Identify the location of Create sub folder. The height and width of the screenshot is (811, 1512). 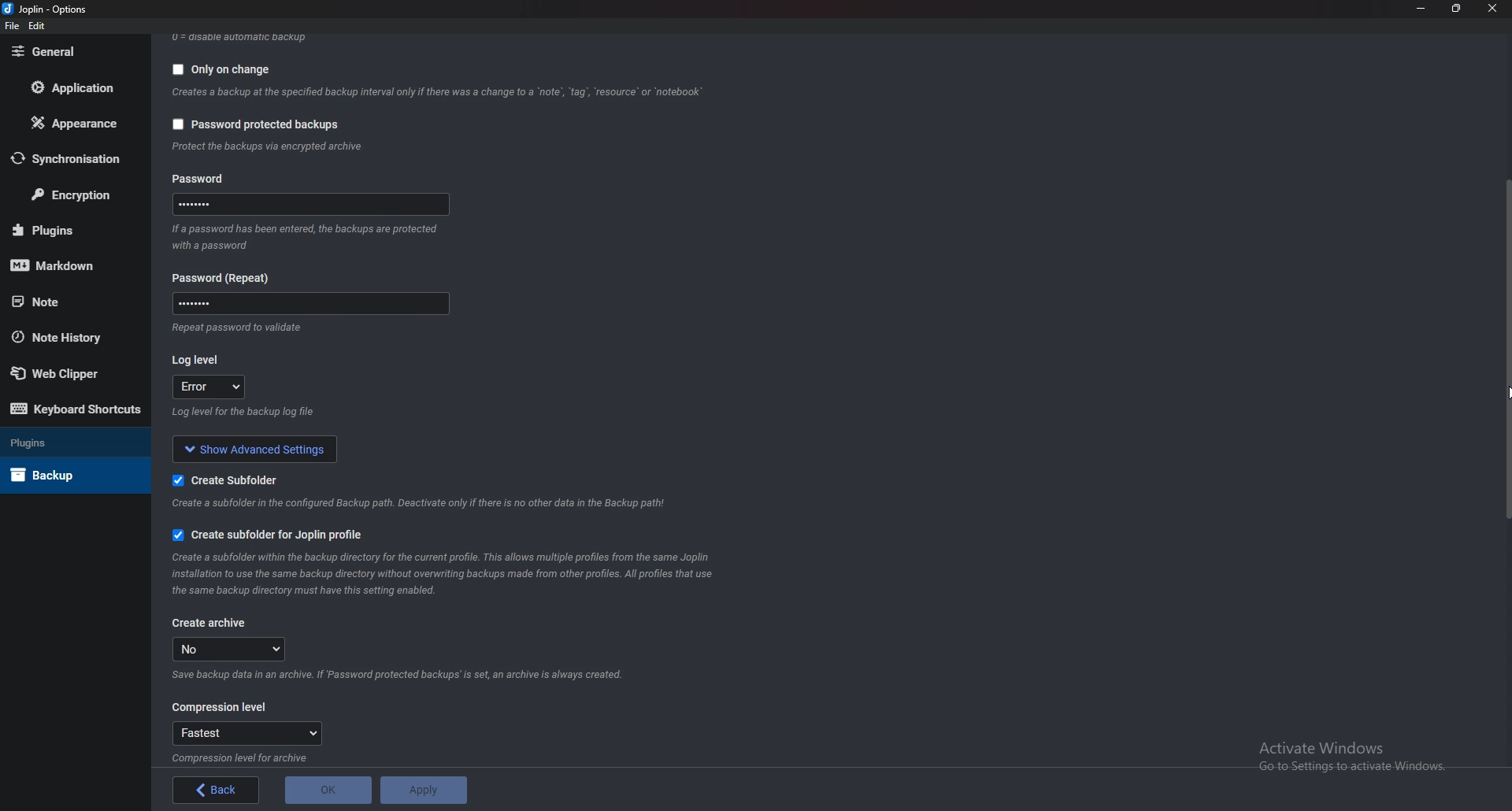
(230, 480).